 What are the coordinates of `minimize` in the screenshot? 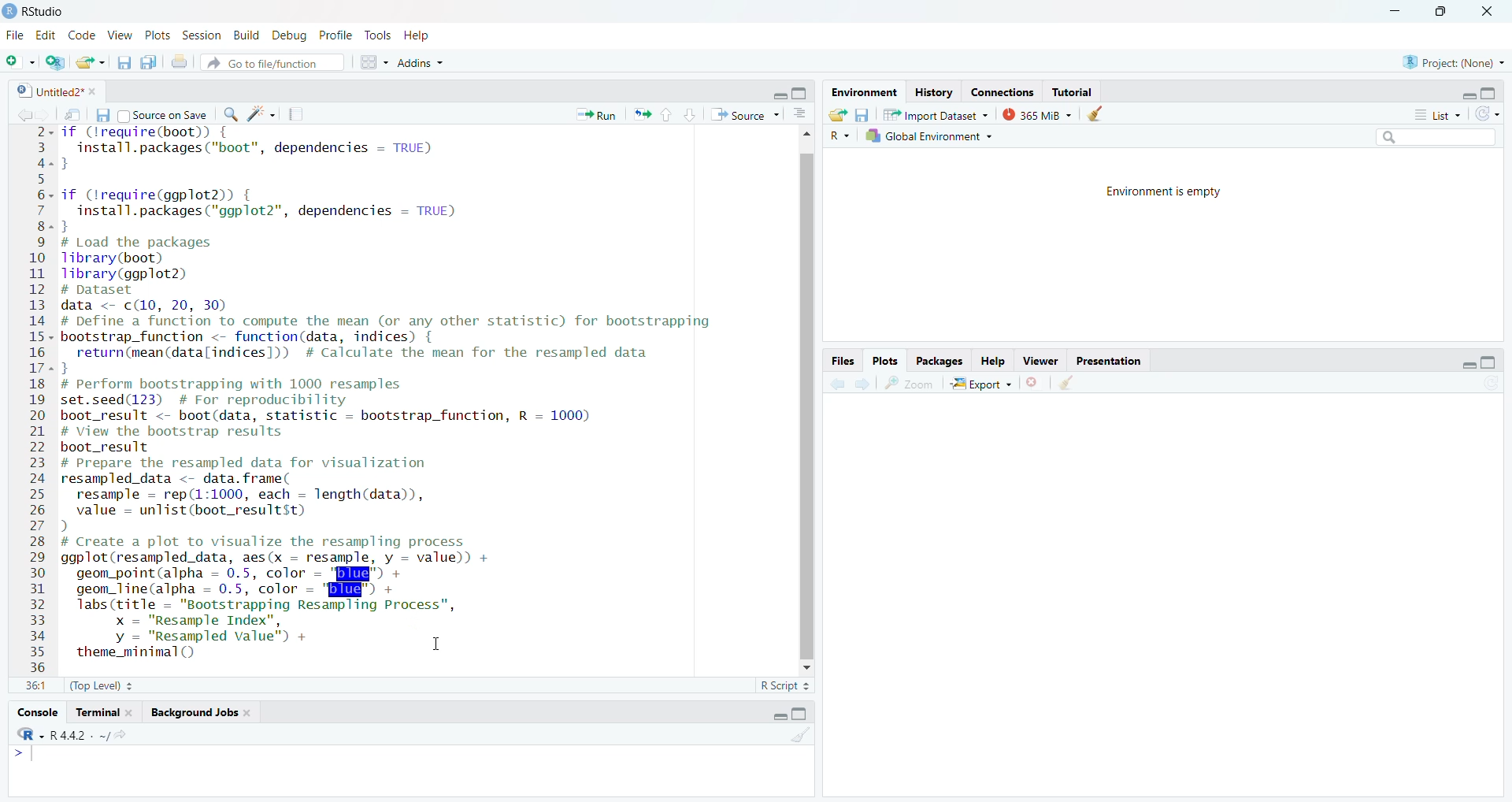 It's located at (1395, 13).